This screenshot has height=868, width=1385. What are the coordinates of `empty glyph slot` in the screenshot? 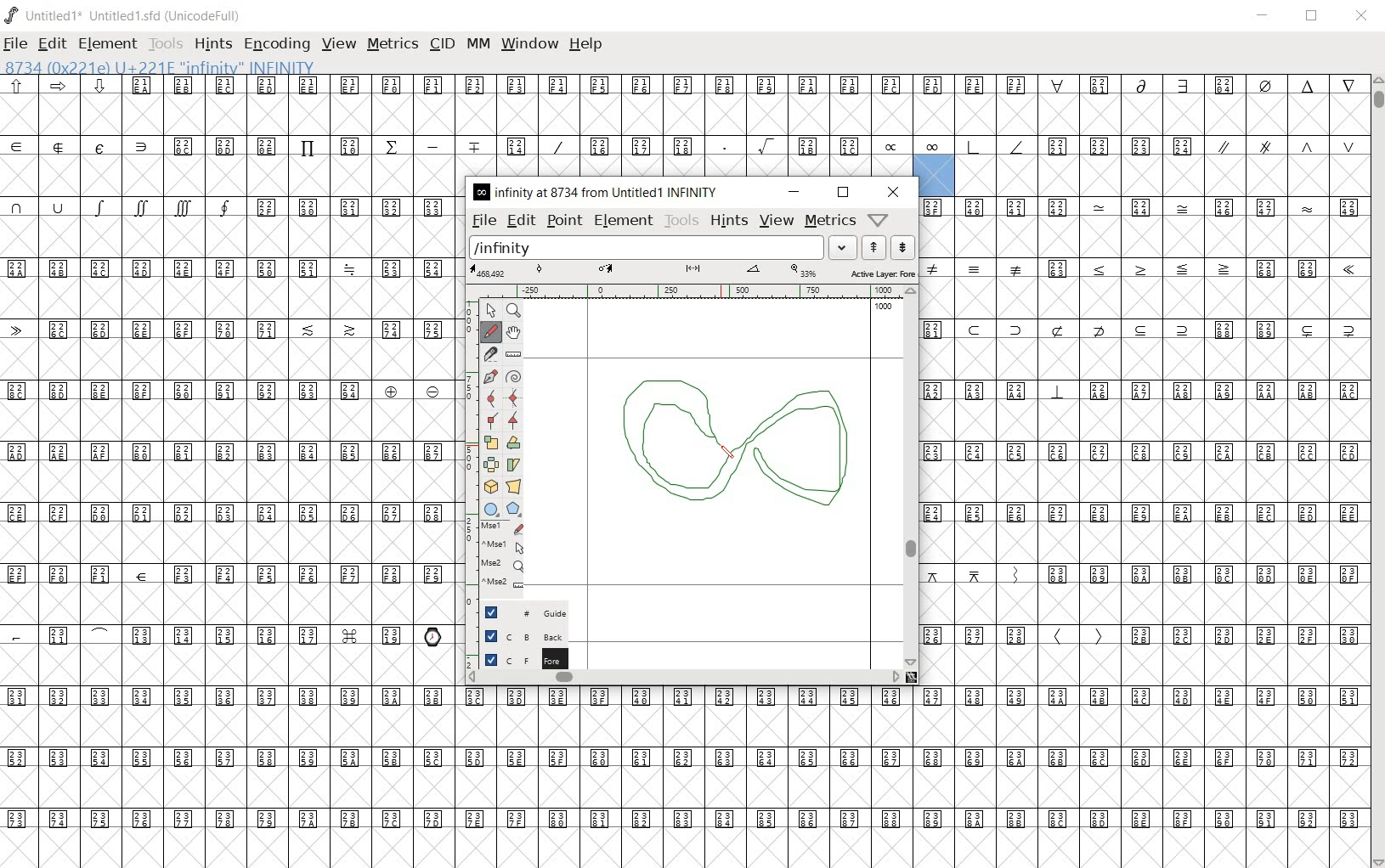 It's located at (1144, 604).